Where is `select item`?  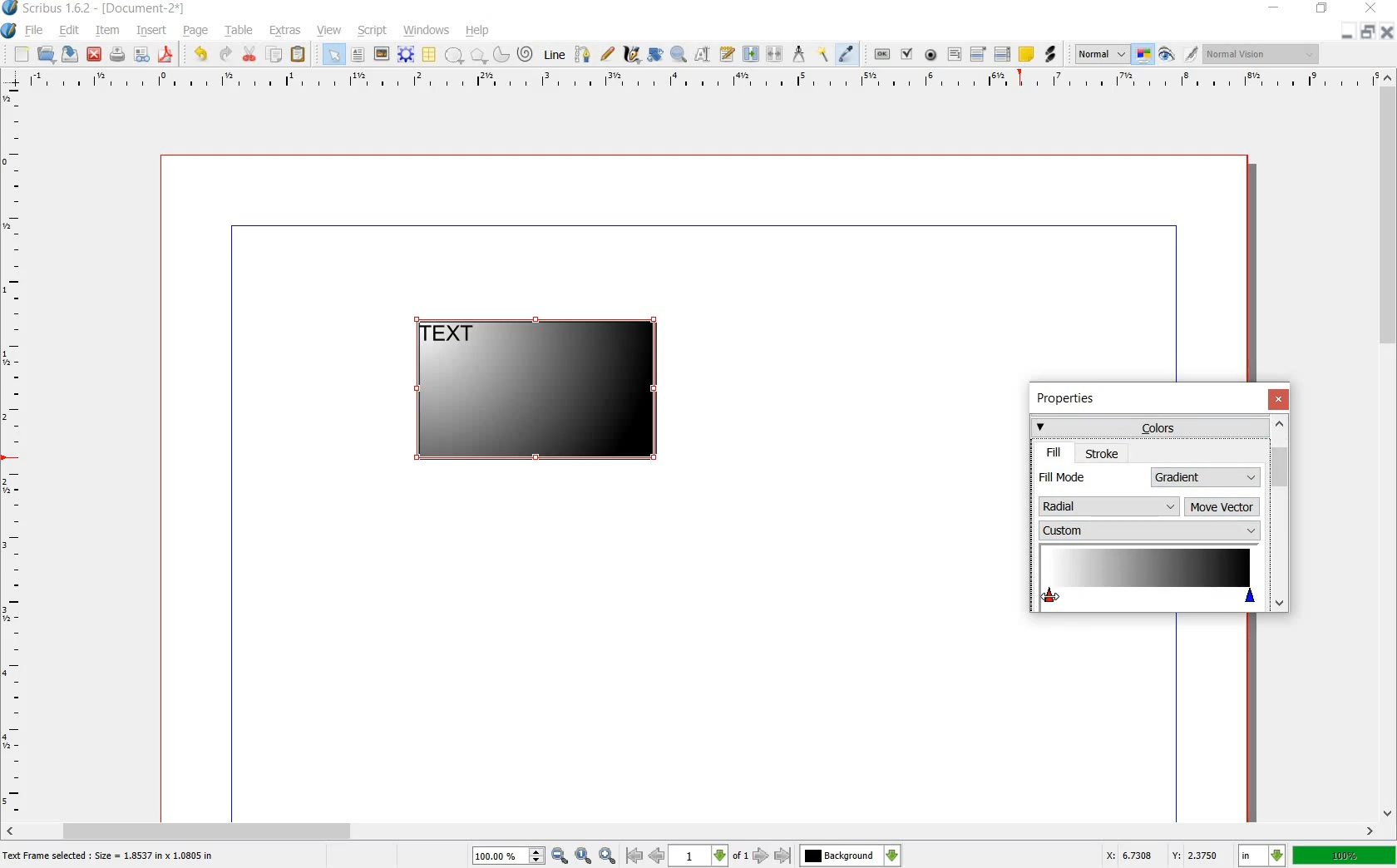 select item is located at coordinates (333, 54).